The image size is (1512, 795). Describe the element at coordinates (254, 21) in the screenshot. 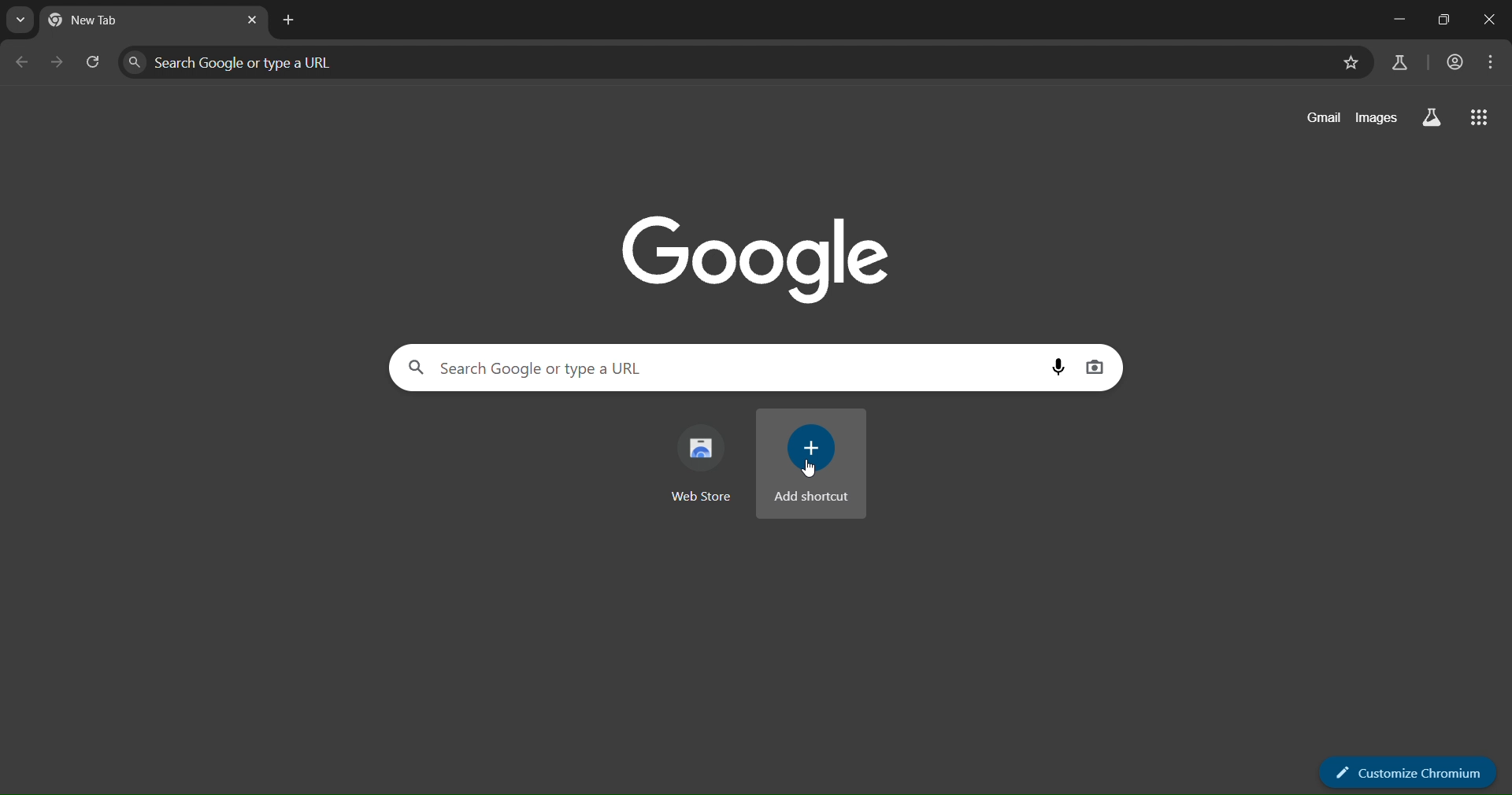

I see `close tab` at that location.